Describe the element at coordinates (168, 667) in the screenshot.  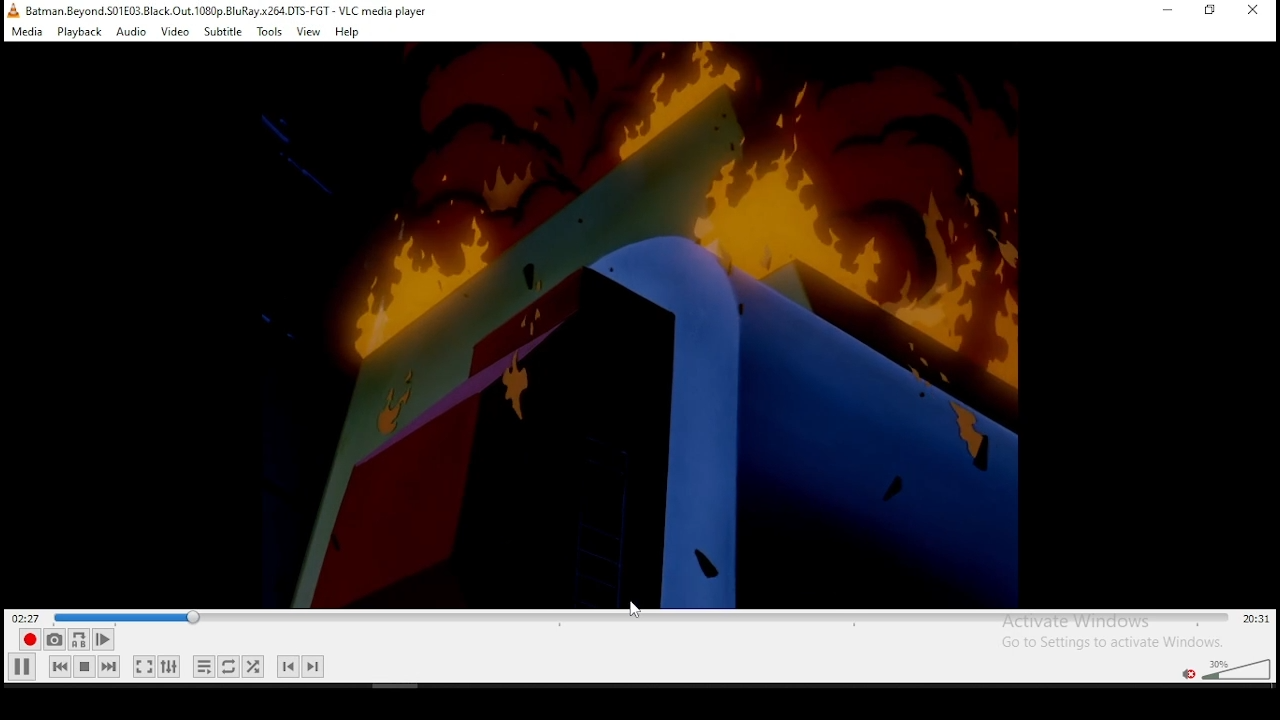
I see `show extended settings` at that location.